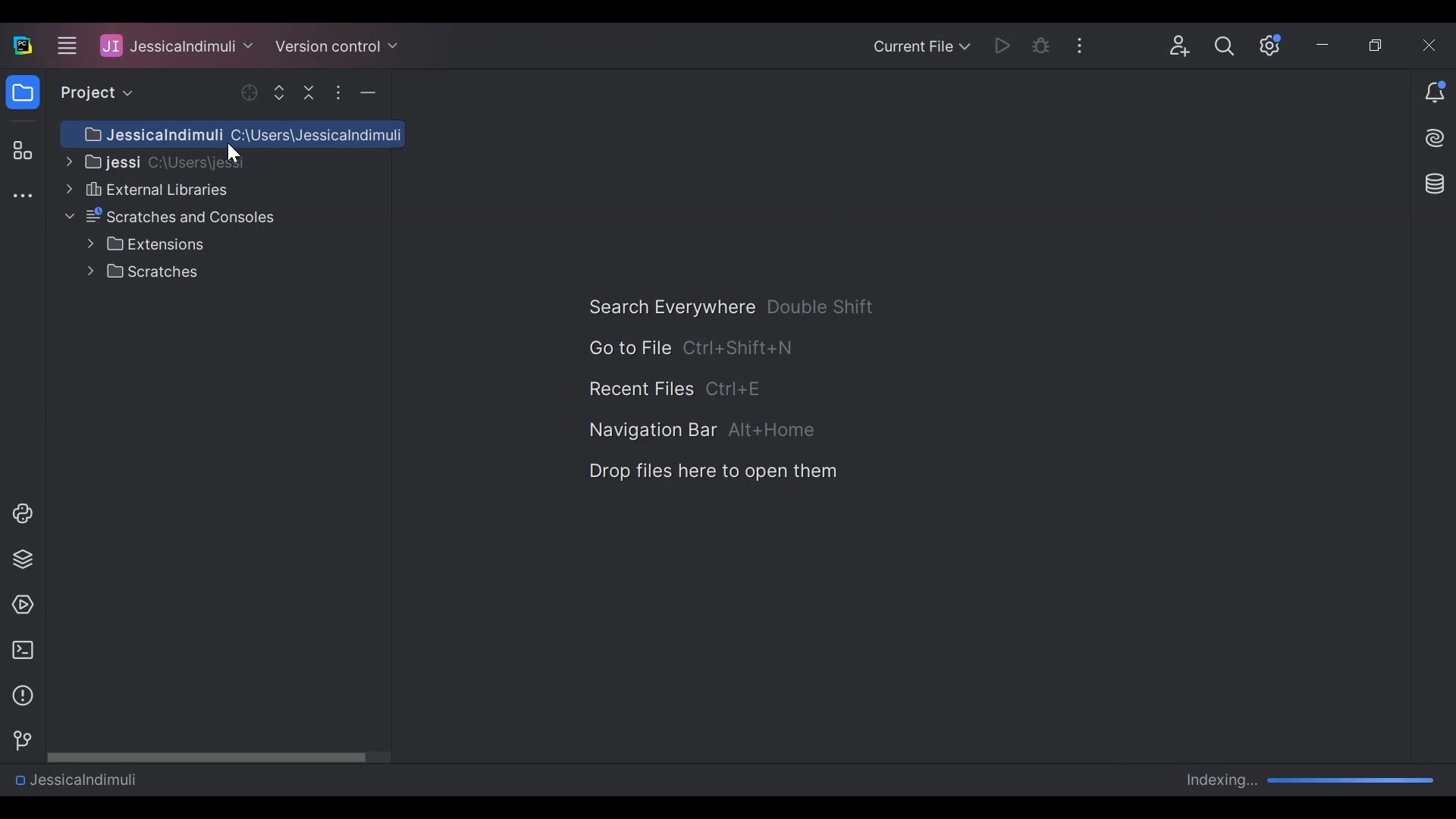 The height and width of the screenshot is (819, 1456). What do you see at coordinates (739, 347) in the screenshot?
I see `shortcut` at bounding box center [739, 347].